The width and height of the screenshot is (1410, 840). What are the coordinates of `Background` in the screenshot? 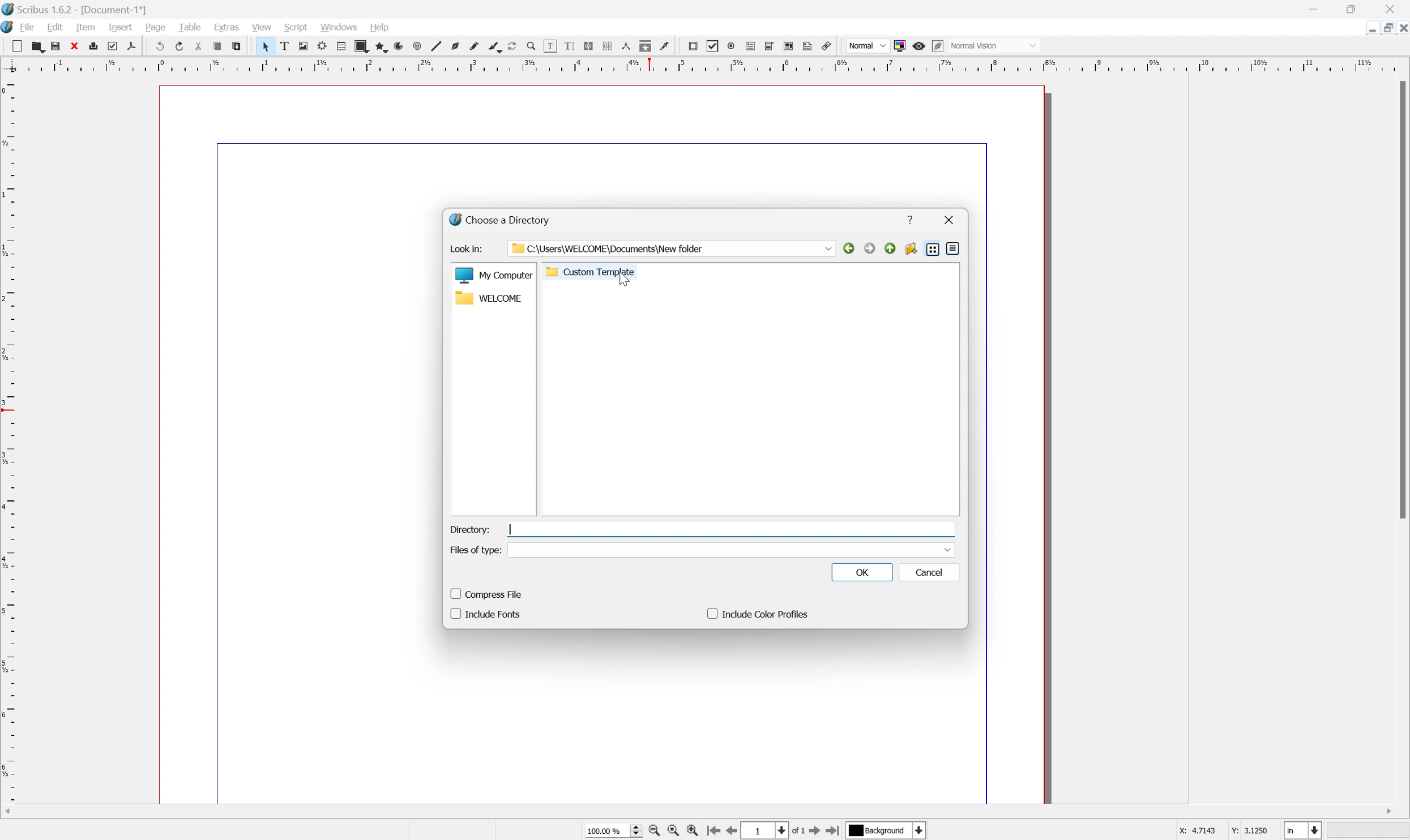 It's located at (887, 831).